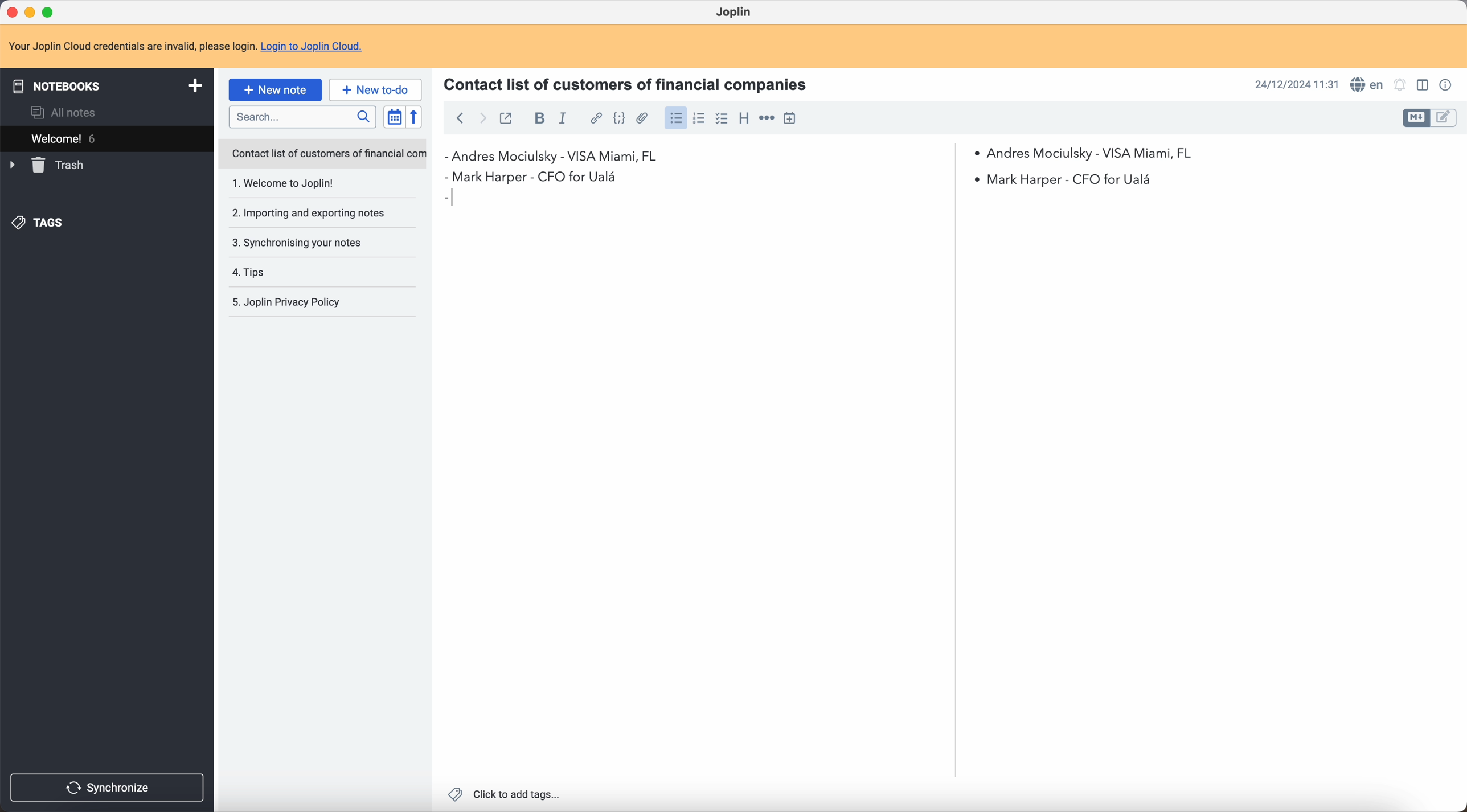 The height and width of the screenshot is (812, 1467). I want to click on Joplin, so click(733, 11).